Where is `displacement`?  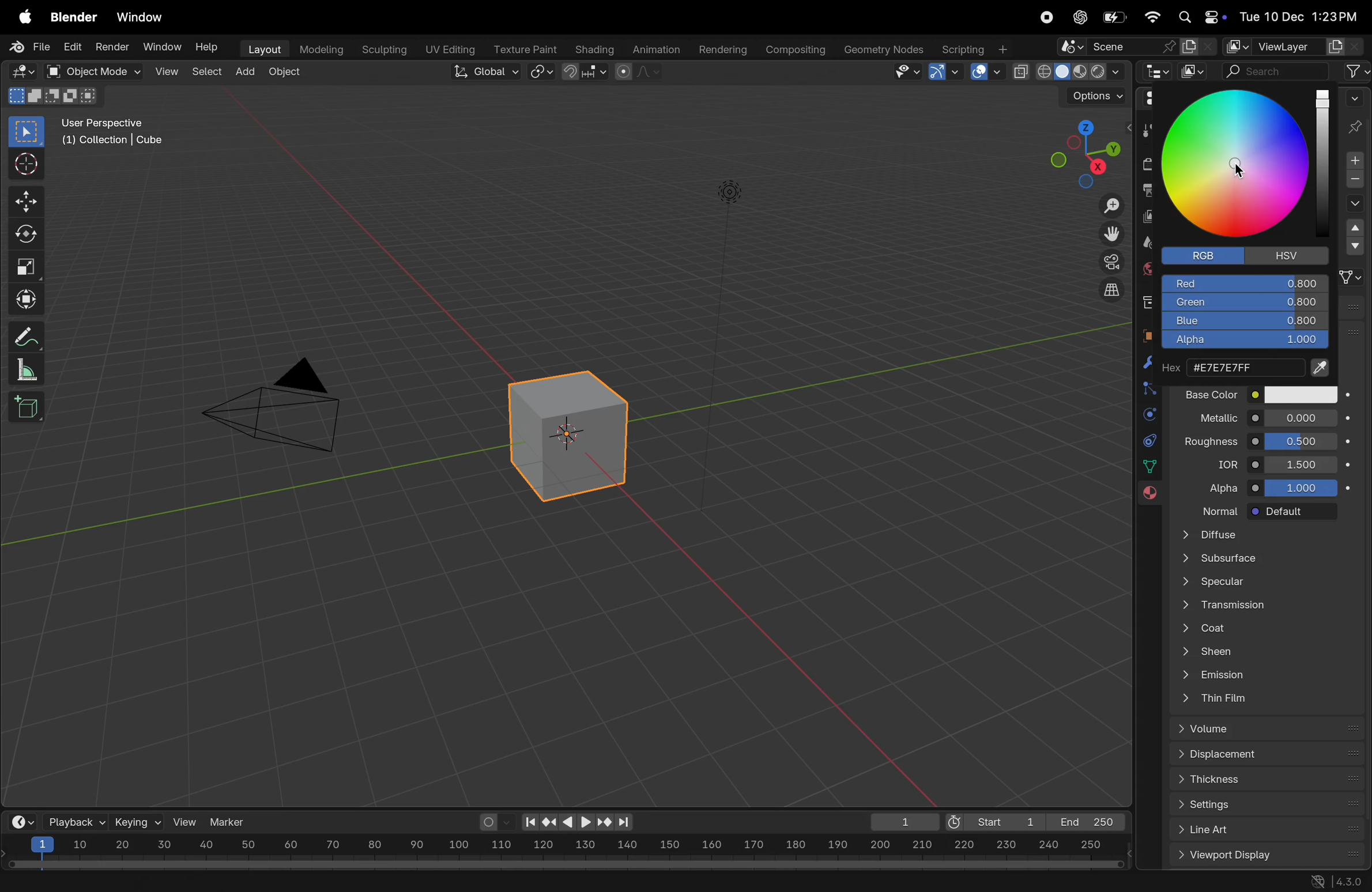
displacement is located at coordinates (1269, 755).